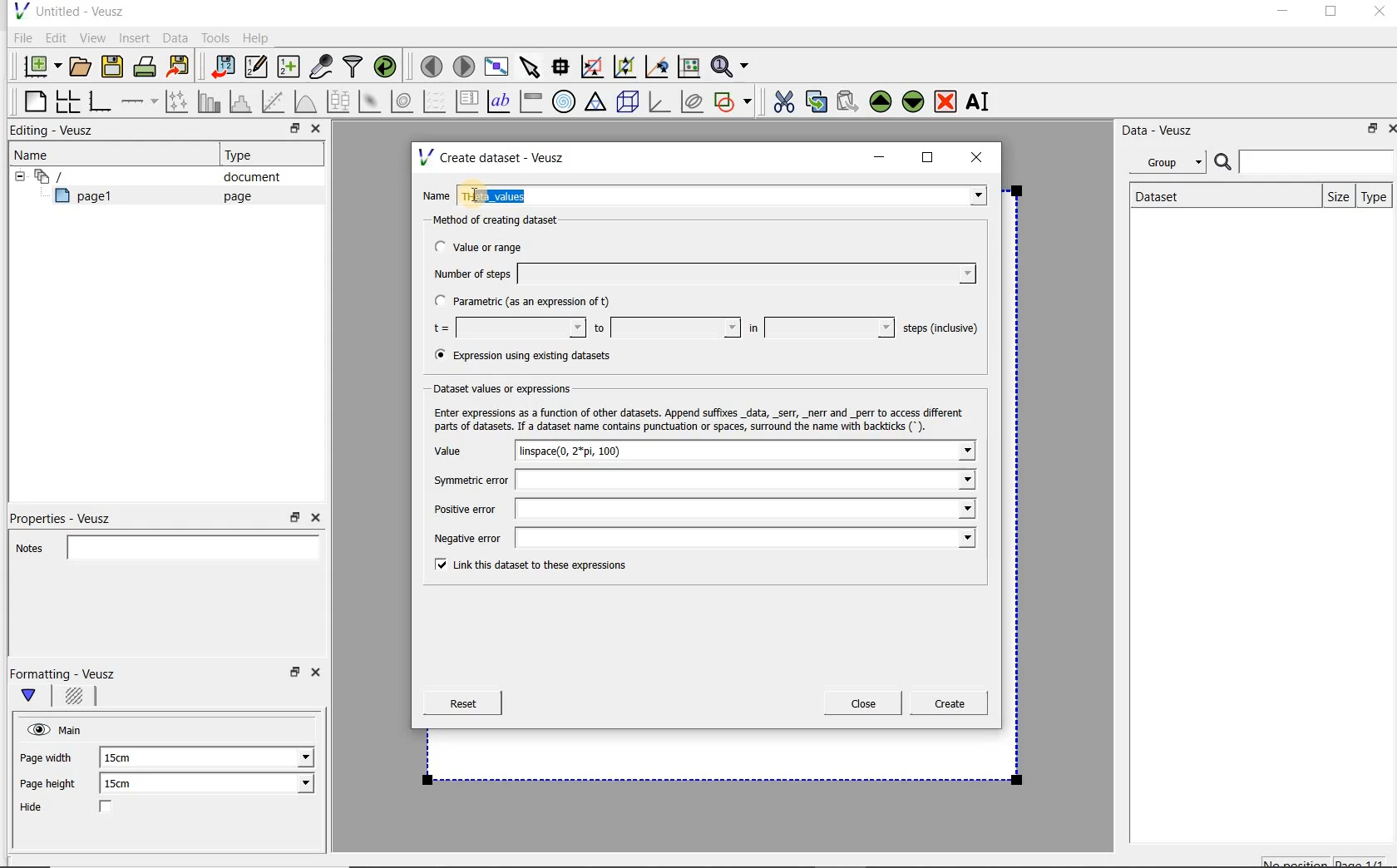  Describe the element at coordinates (689, 66) in the screenshot. I see `click to reset graph axes` at that location.